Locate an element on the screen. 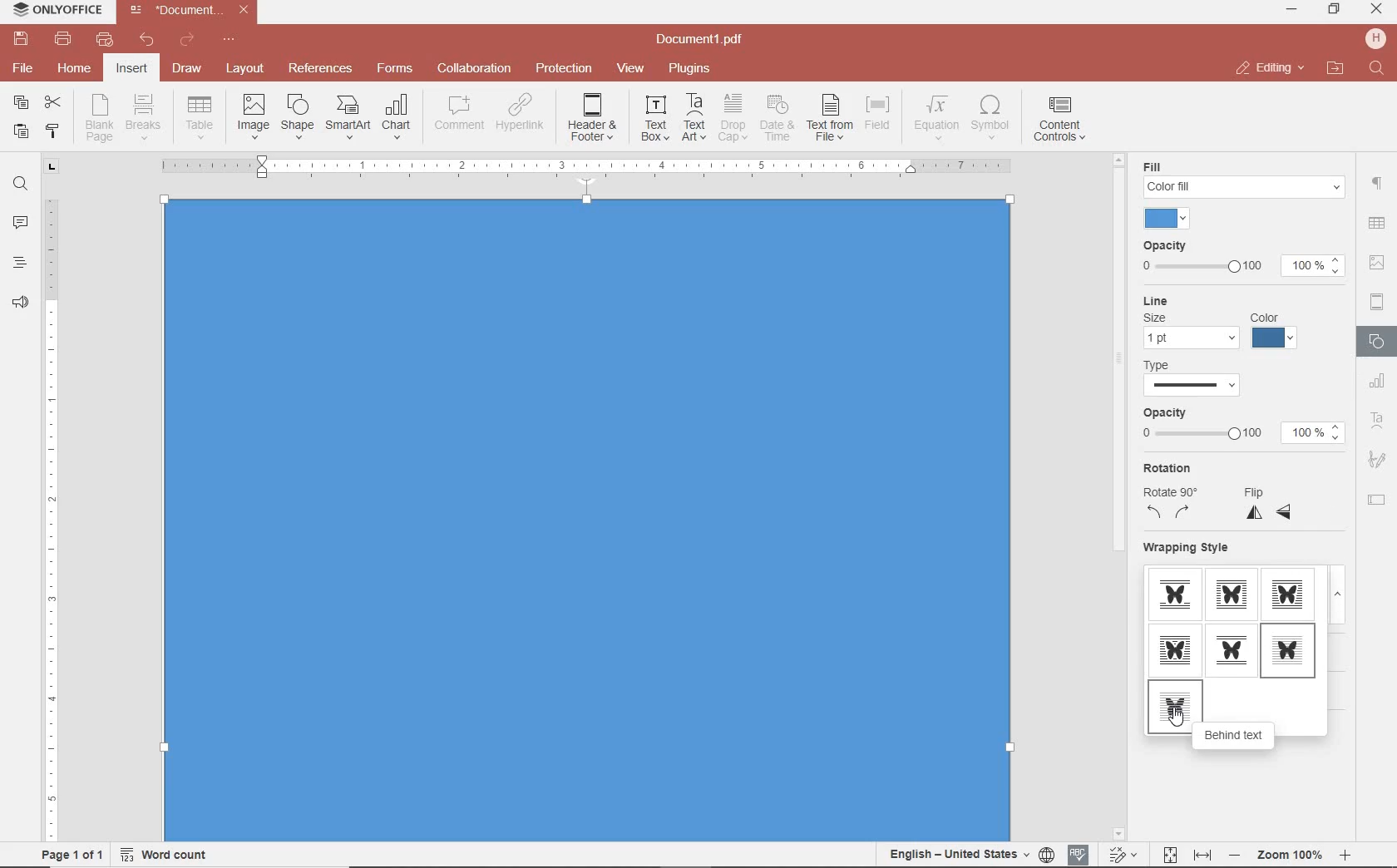  OPACITY SETTINGS is located at coordinates (1242, 259).